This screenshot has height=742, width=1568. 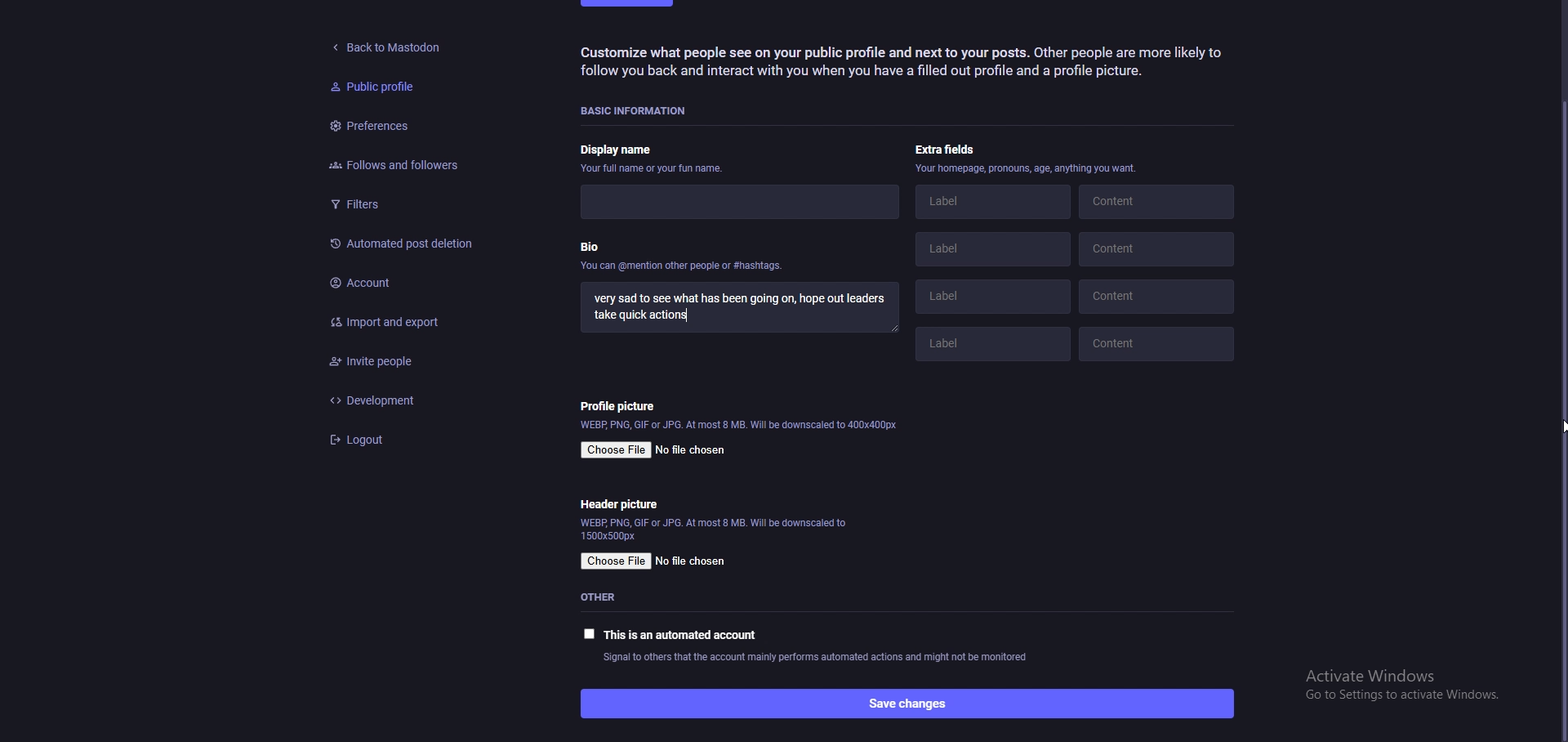 What do you see at coordinates (412, 400) in the screenshot?
I see `development` at bounding box center [412, 400].